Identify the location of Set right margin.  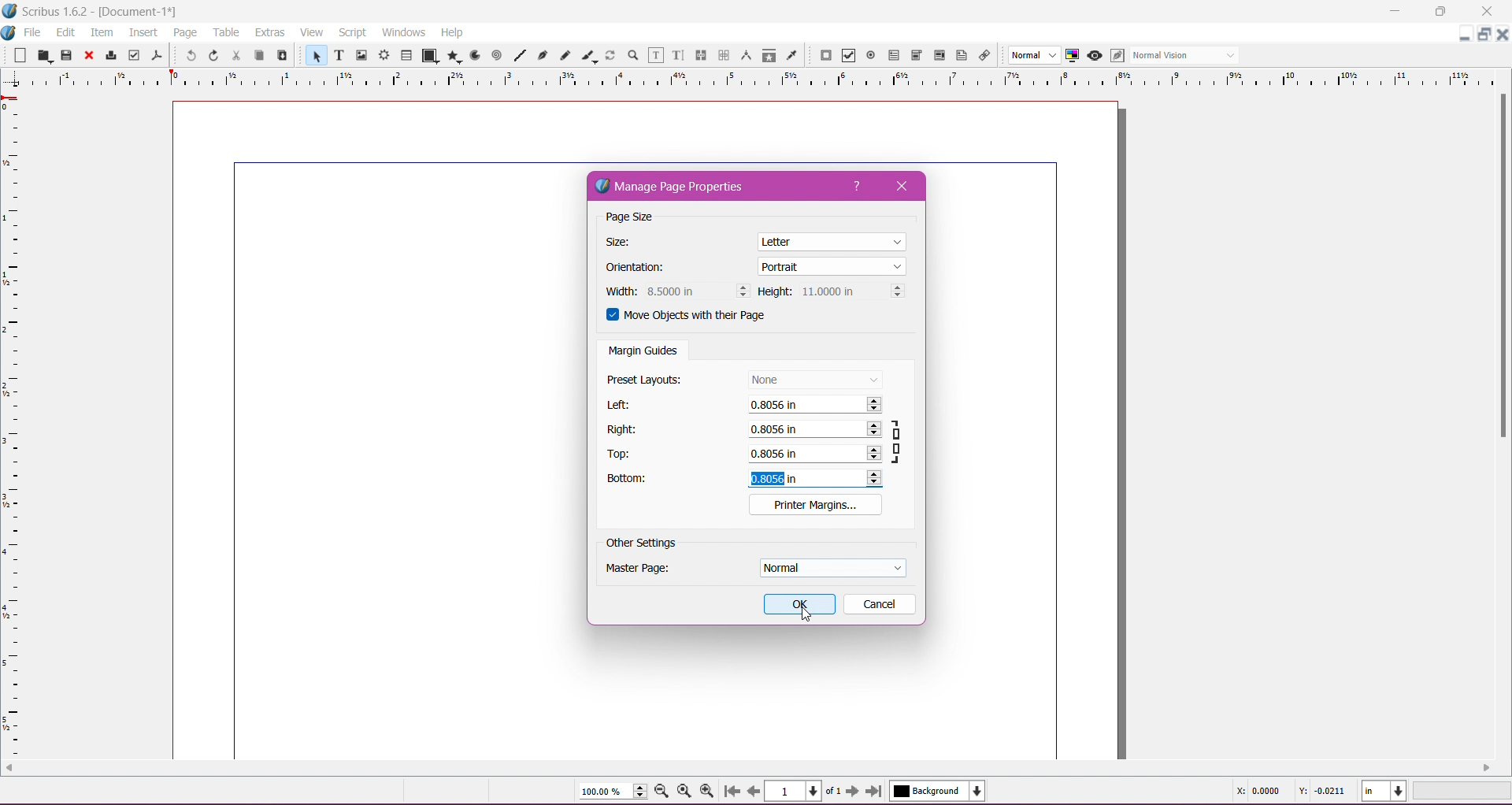
(813, 430).